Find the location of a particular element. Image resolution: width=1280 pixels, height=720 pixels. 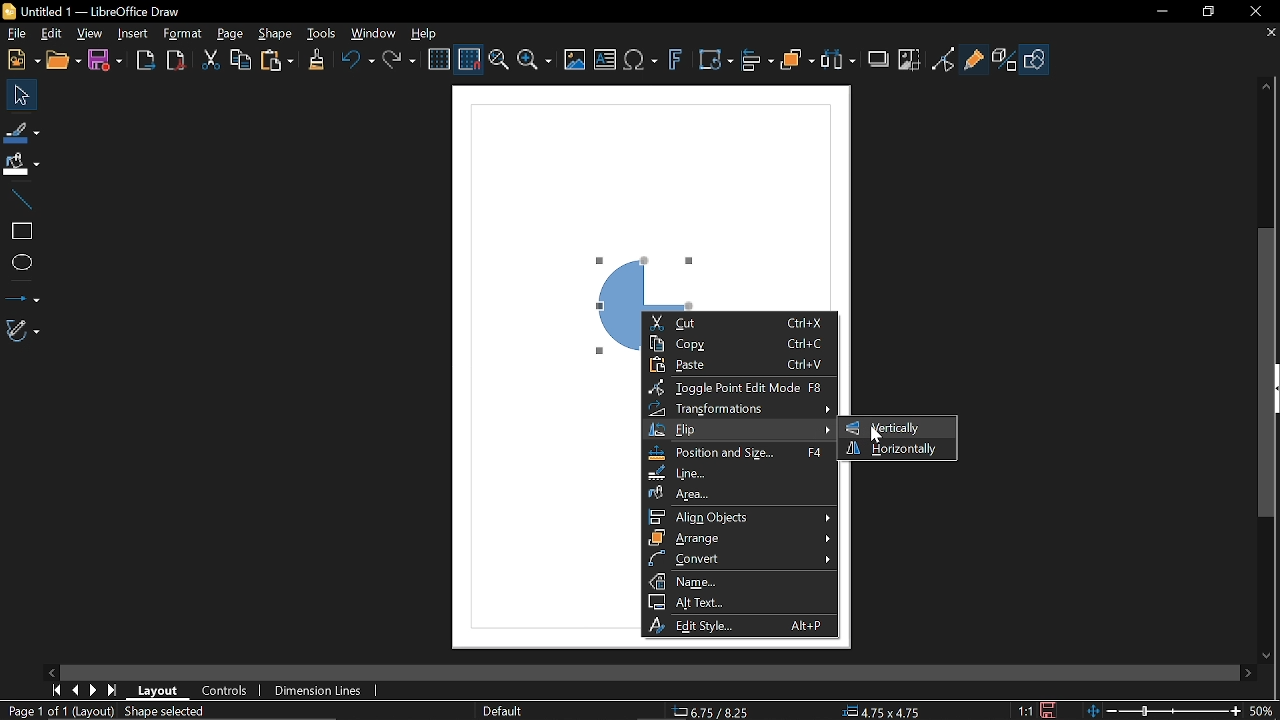

1:1 (Scaling factor) is located at coordinates (1026, 710).